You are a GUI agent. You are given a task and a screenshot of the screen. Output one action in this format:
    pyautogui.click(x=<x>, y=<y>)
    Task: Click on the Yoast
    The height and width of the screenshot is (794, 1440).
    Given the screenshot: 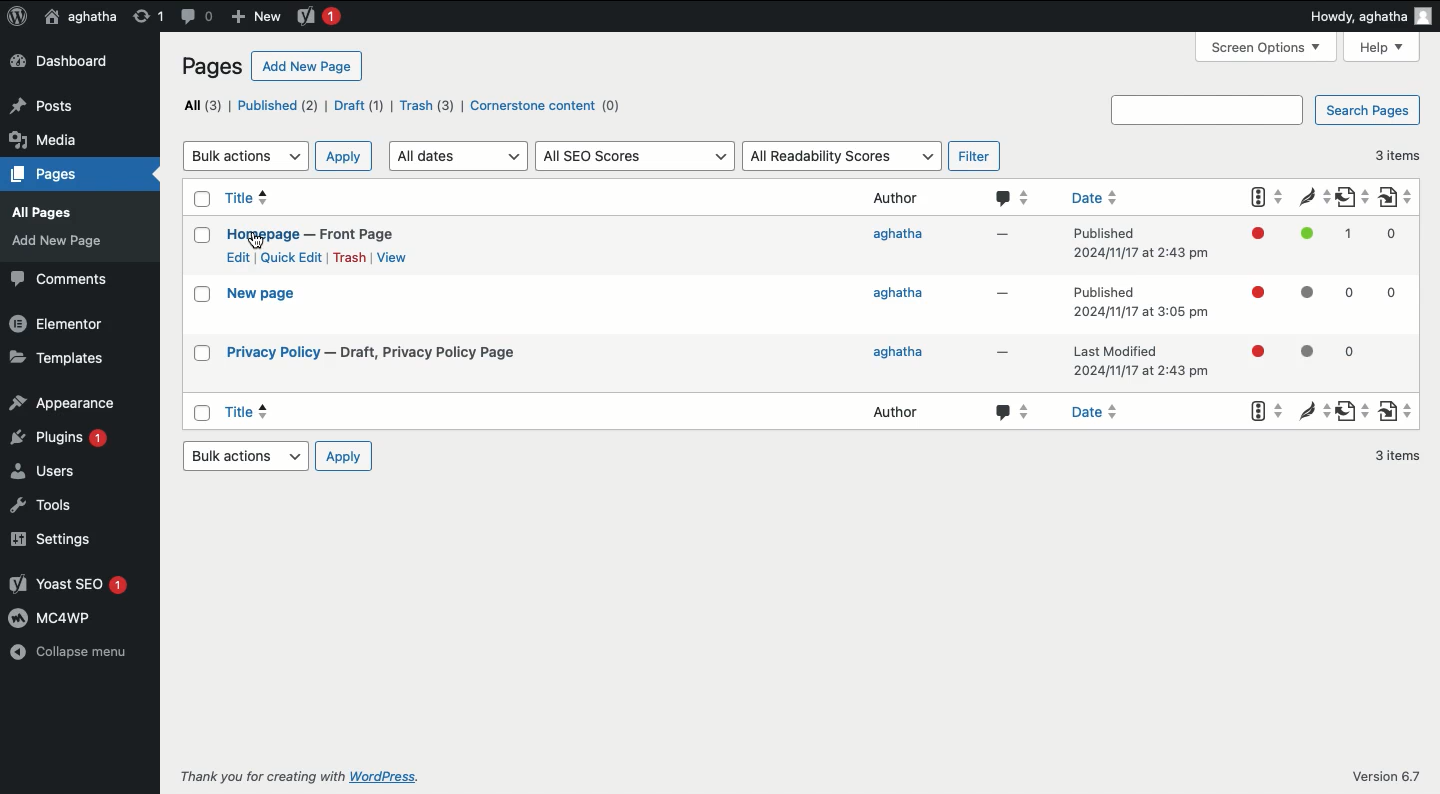 What is the action you would take?
    pyautogui.click(x=318, y=16)
    